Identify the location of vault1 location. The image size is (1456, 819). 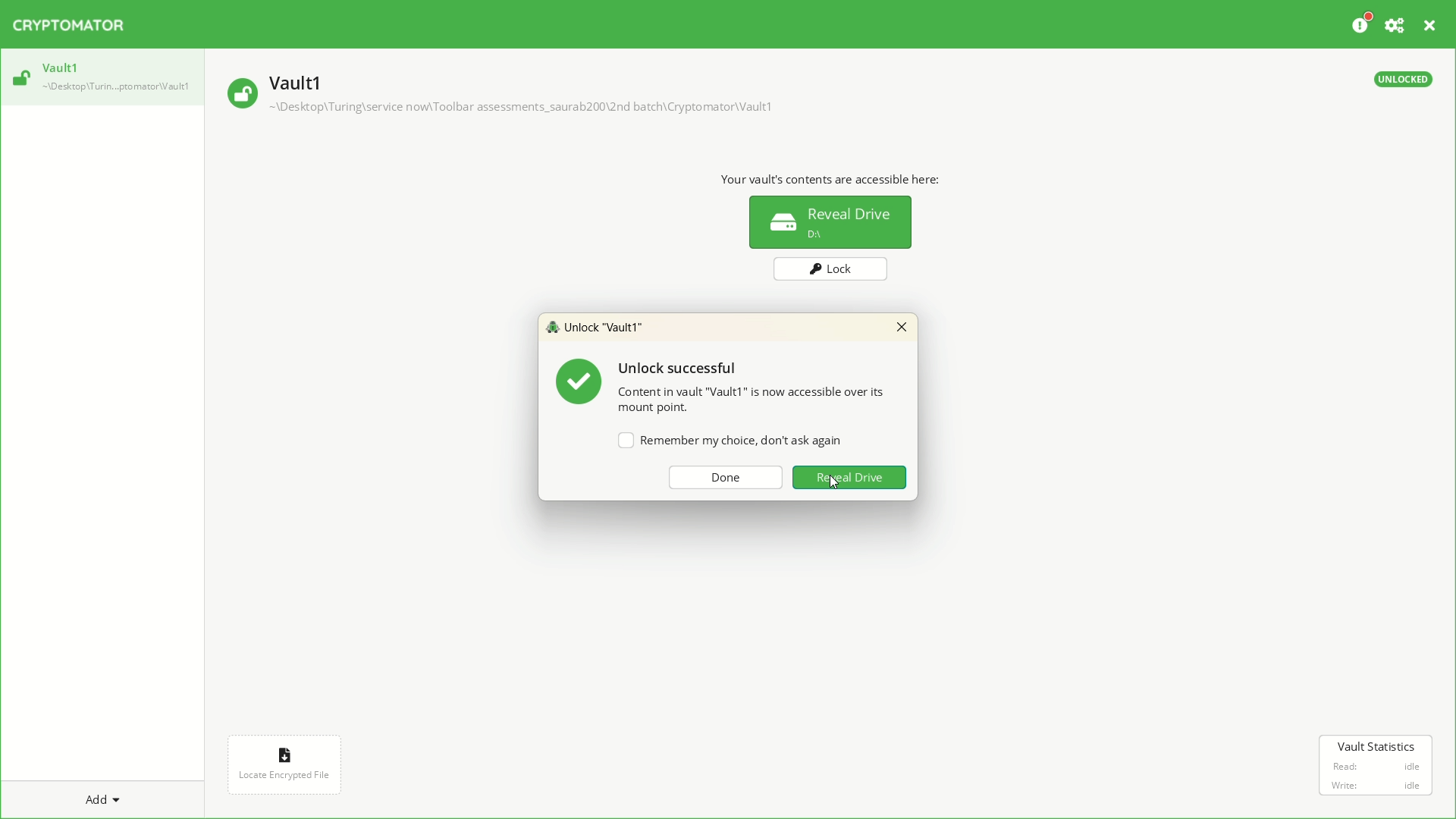
(527, 109).